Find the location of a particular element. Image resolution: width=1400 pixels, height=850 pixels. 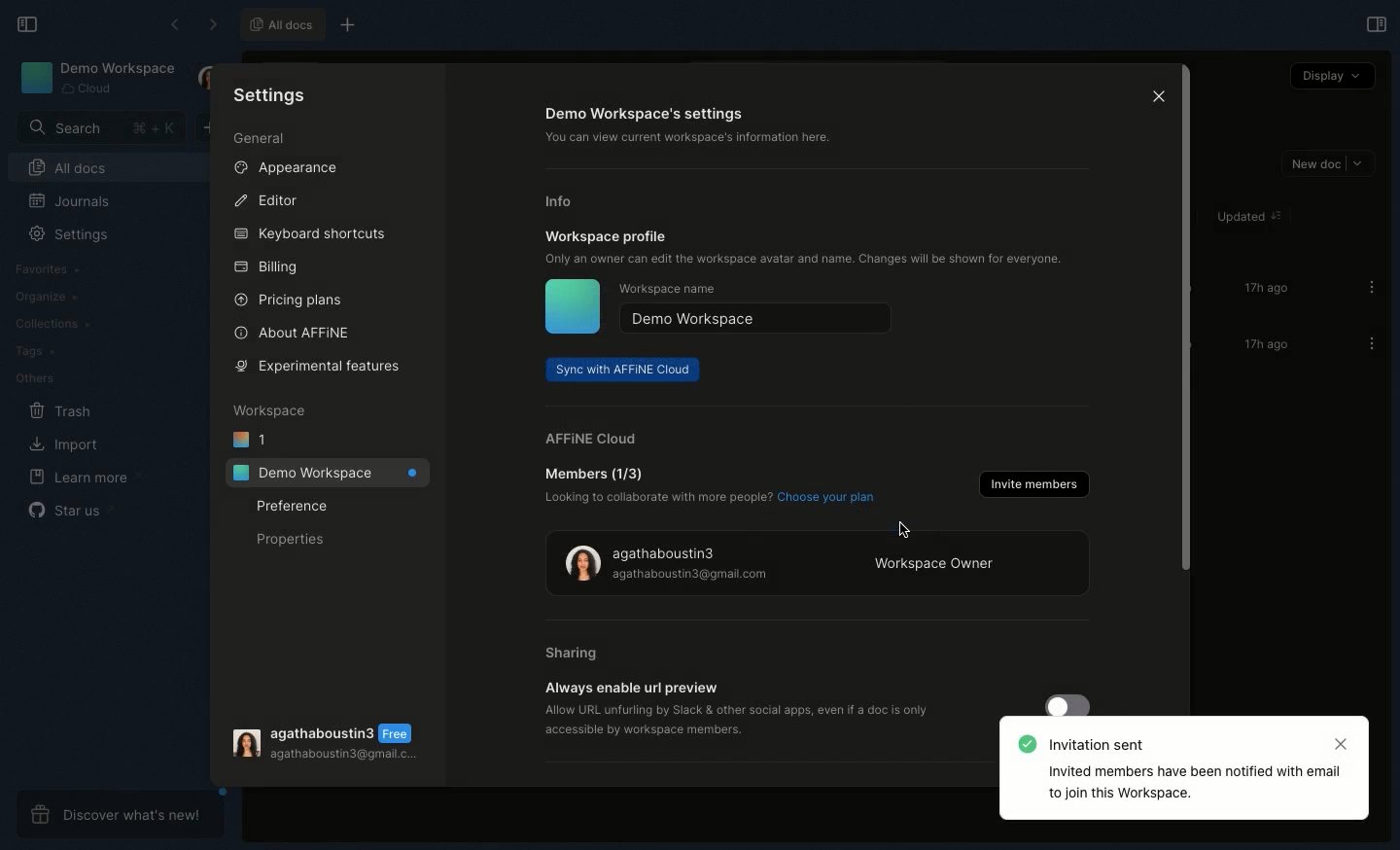

Always enable url preview is located at coordinates (631, 688).